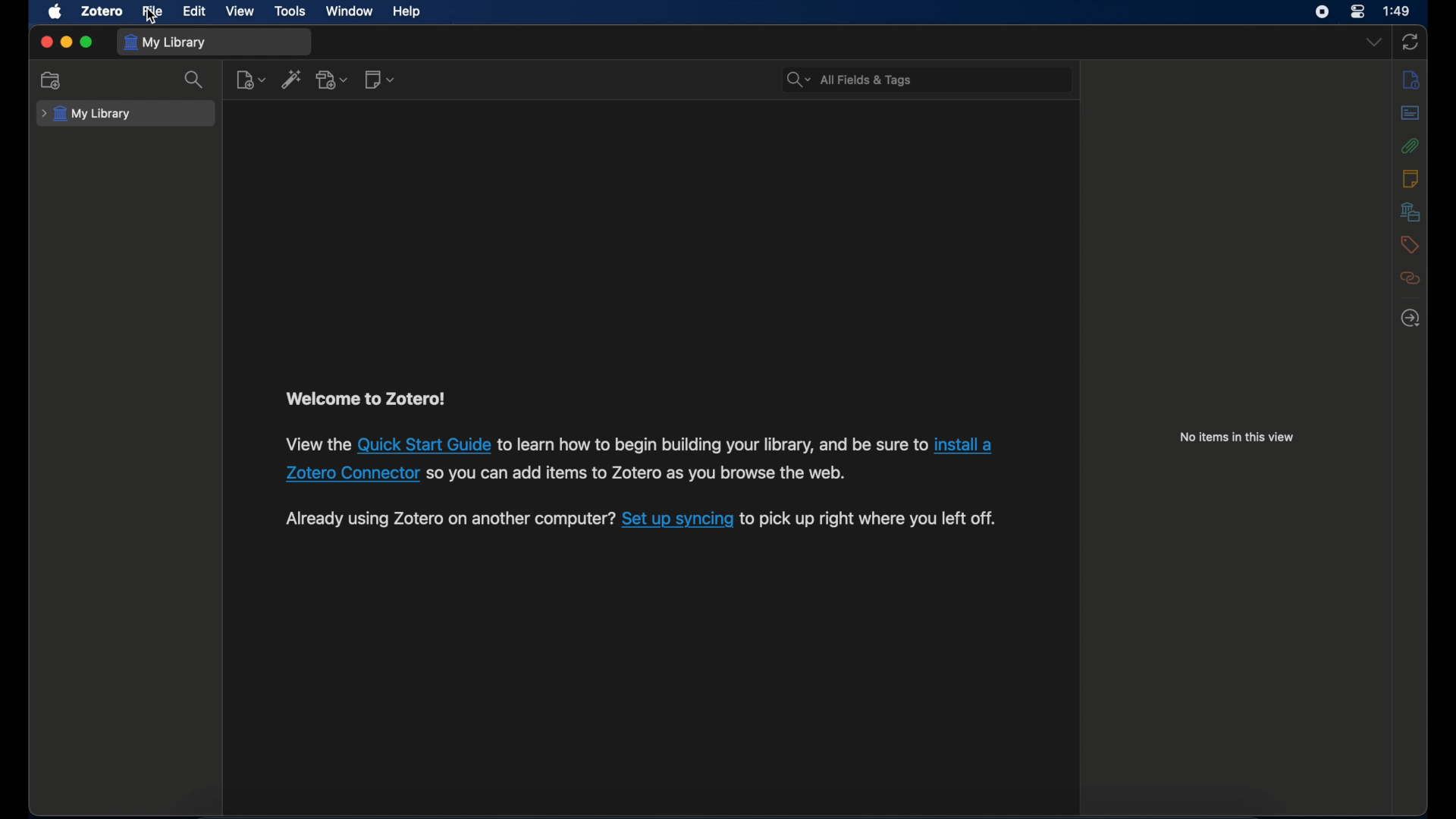  Describe the element at coordinates (45, 42) in the screenshot. I see `close` at that location.